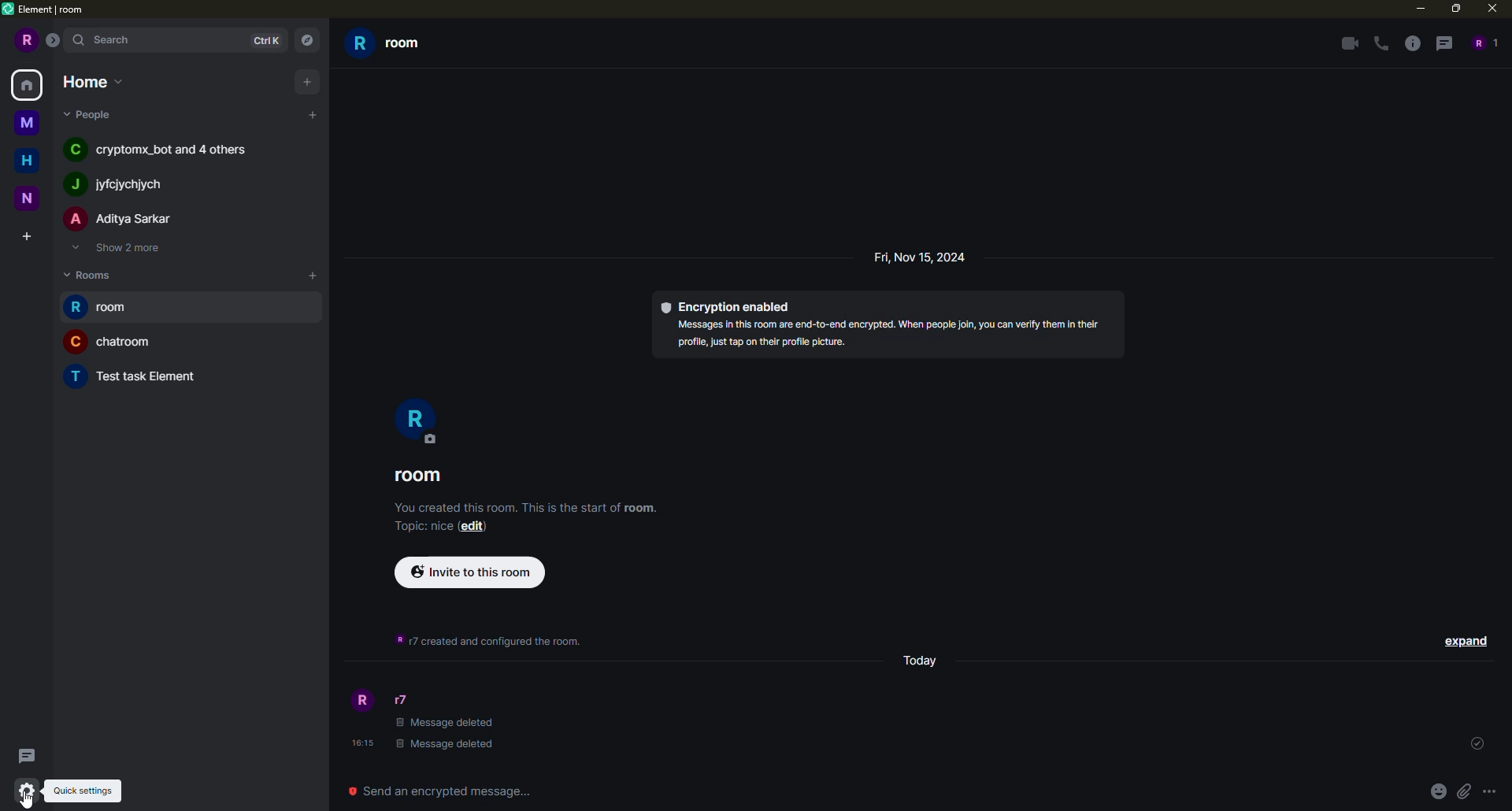  What do you see at coordinates (263, 39) in the screenshot?
I see `ctrlK` at bounding box center [263, 39].